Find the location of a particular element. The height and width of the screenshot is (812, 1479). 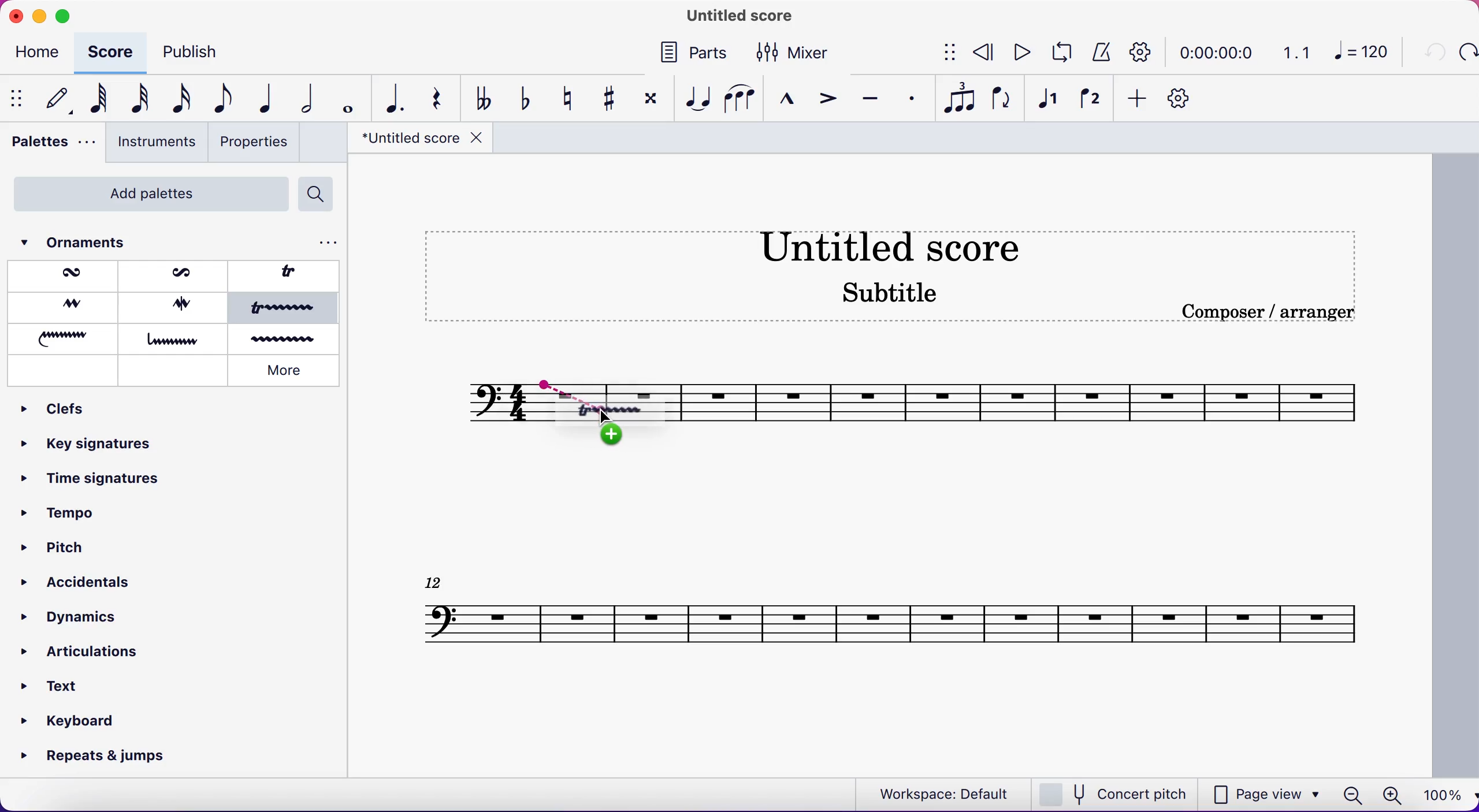

zoom in is located at coordinates (1391, 796).